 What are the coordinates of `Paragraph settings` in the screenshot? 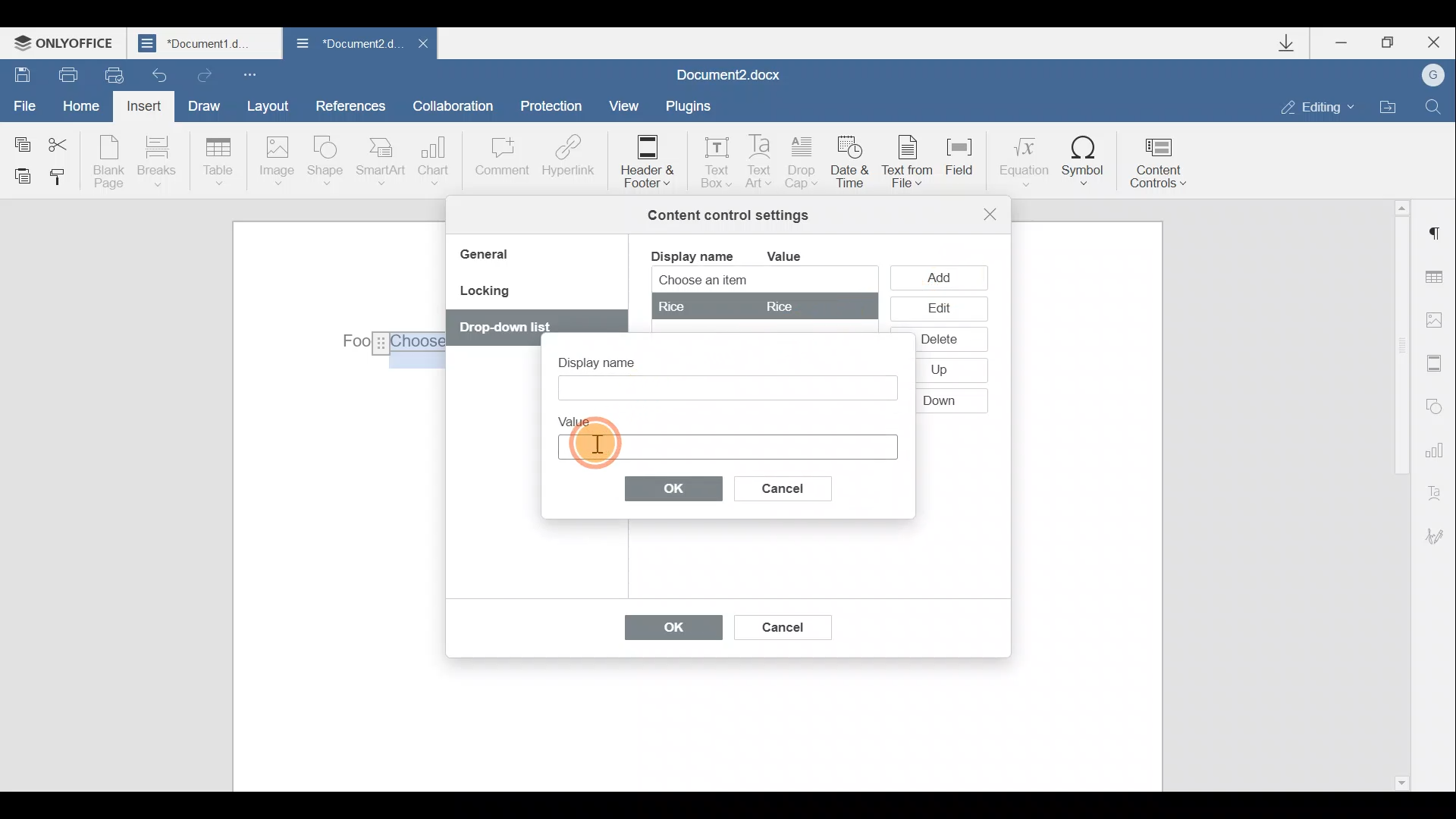 It's located at (1436, 234).